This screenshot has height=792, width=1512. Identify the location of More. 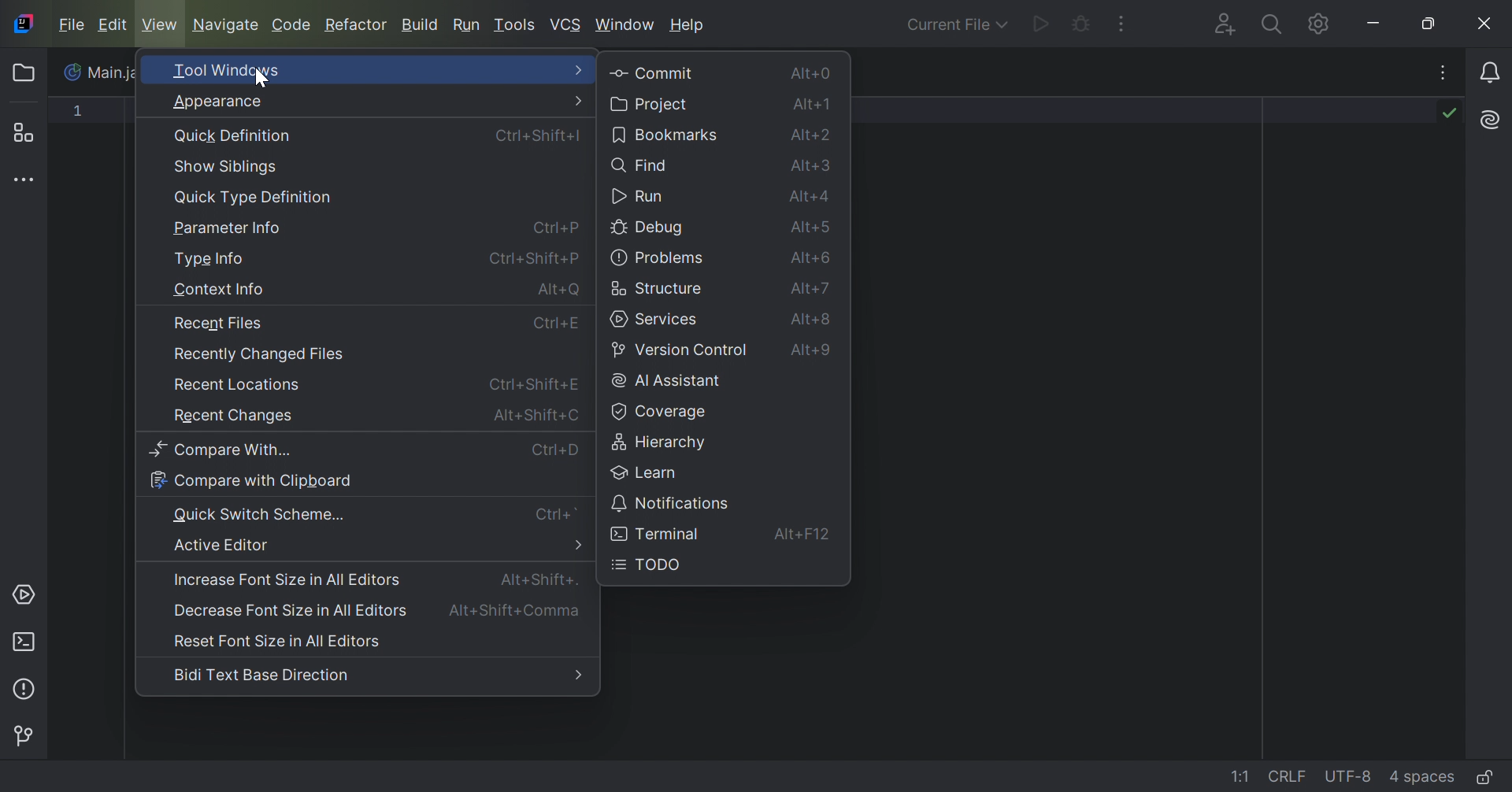
(580, 101).